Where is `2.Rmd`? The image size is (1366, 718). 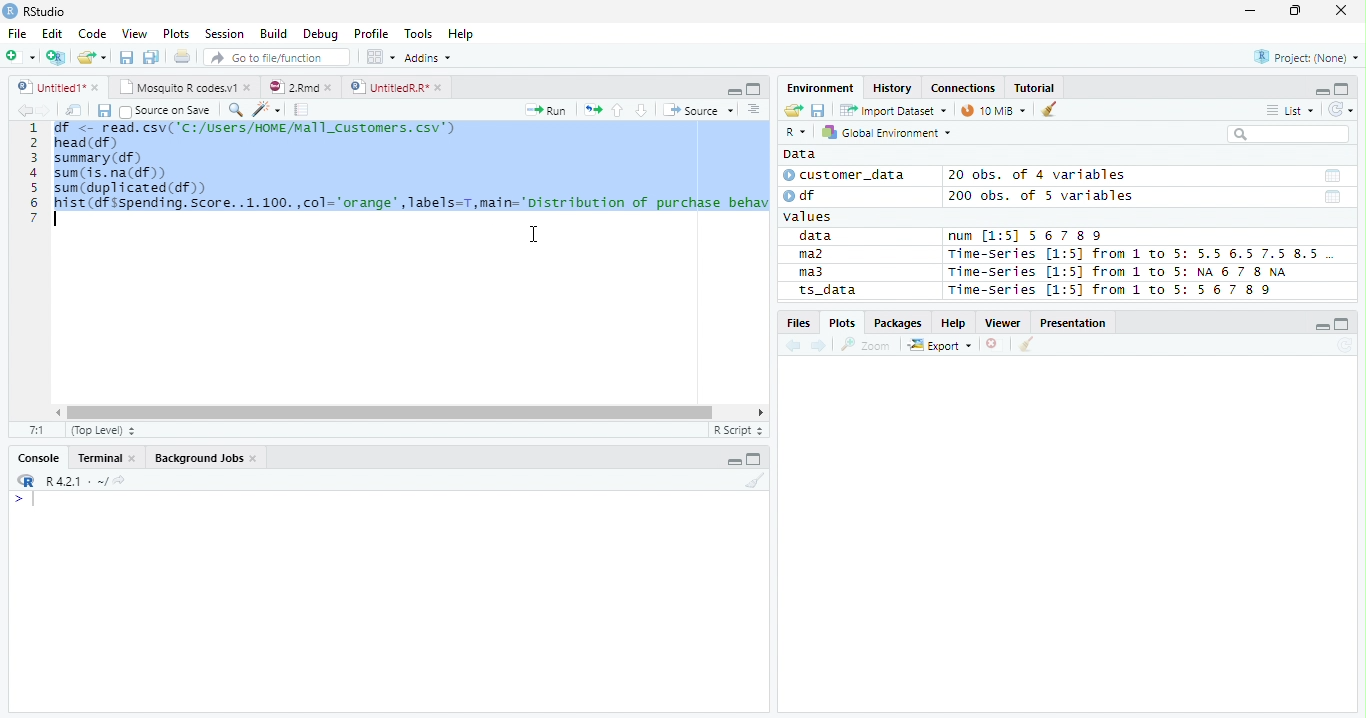 2.Rmd is located at coordinates (302, 88).